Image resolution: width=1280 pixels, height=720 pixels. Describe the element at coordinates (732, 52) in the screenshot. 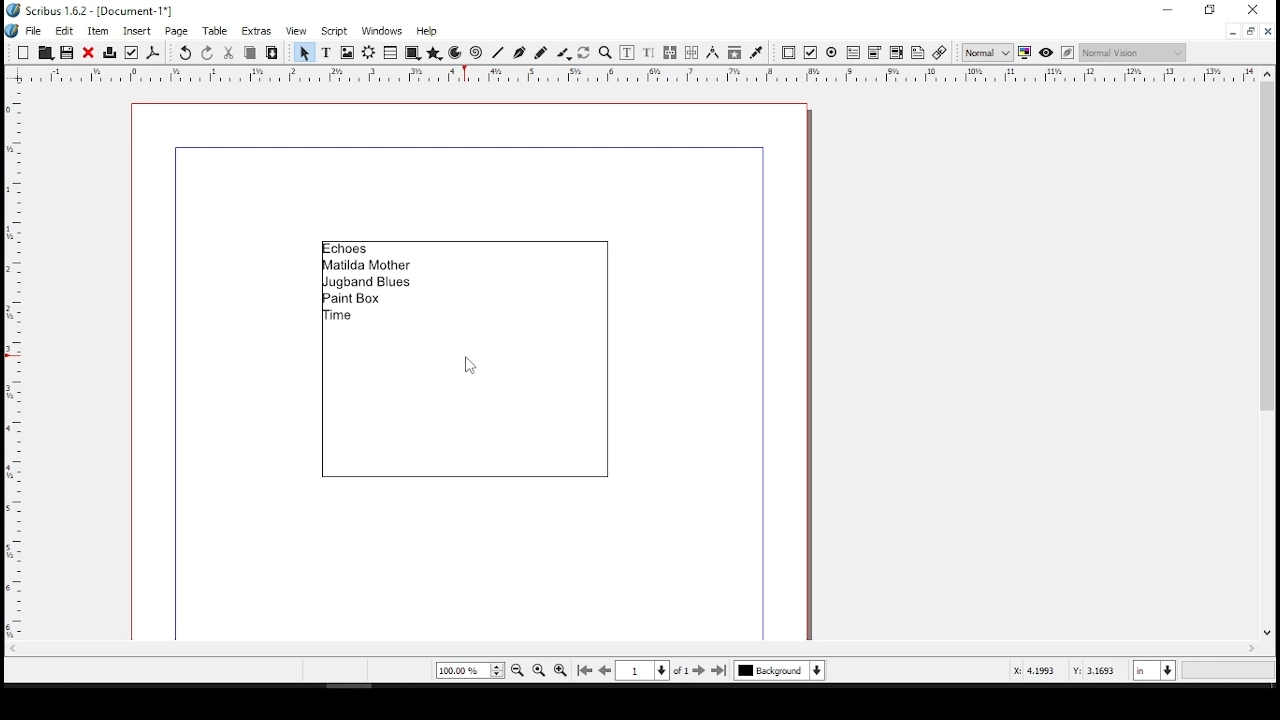

I see `copy item properties` at that location.